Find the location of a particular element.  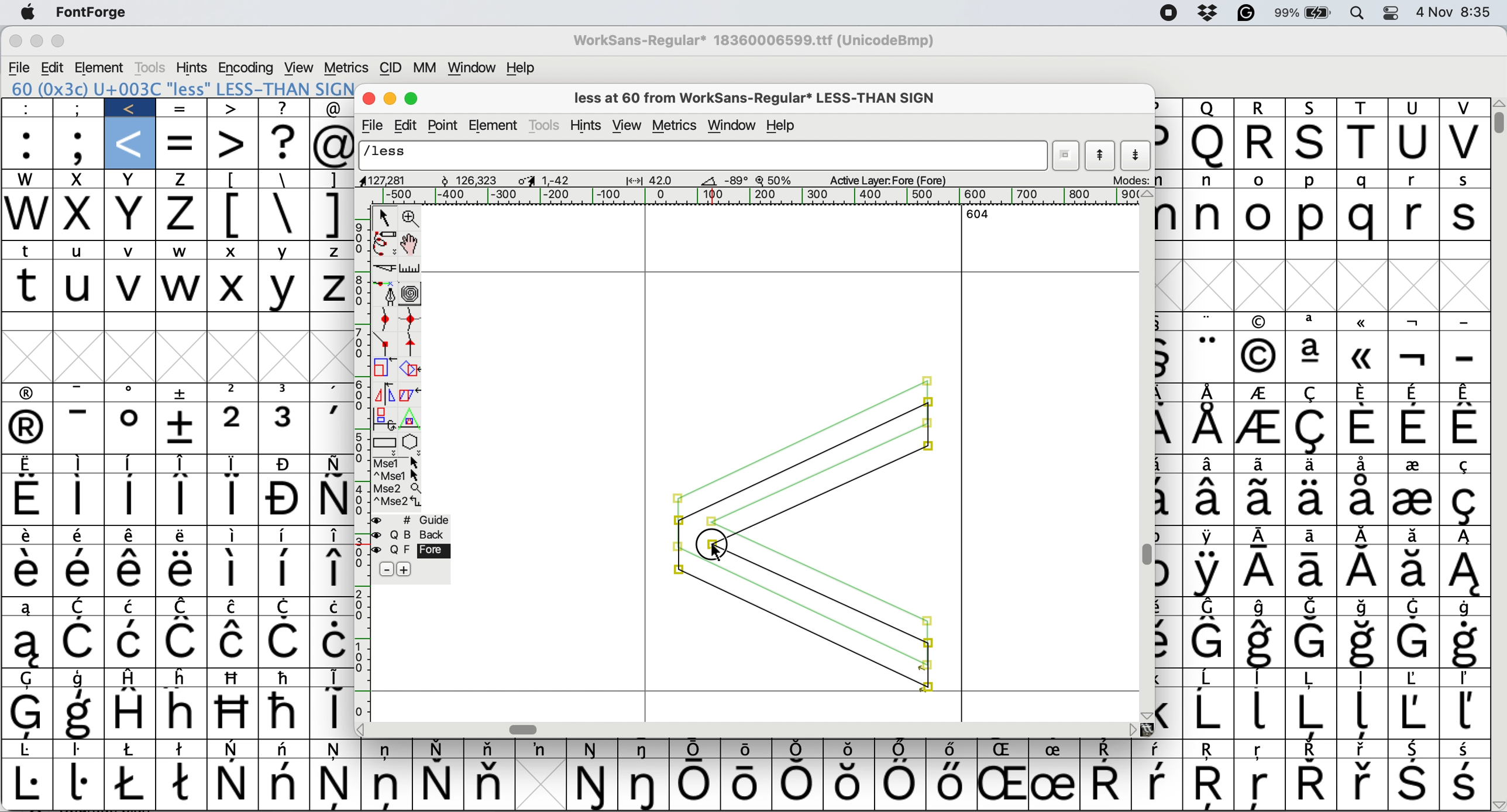

cursor is located at coordinates (717, 553).